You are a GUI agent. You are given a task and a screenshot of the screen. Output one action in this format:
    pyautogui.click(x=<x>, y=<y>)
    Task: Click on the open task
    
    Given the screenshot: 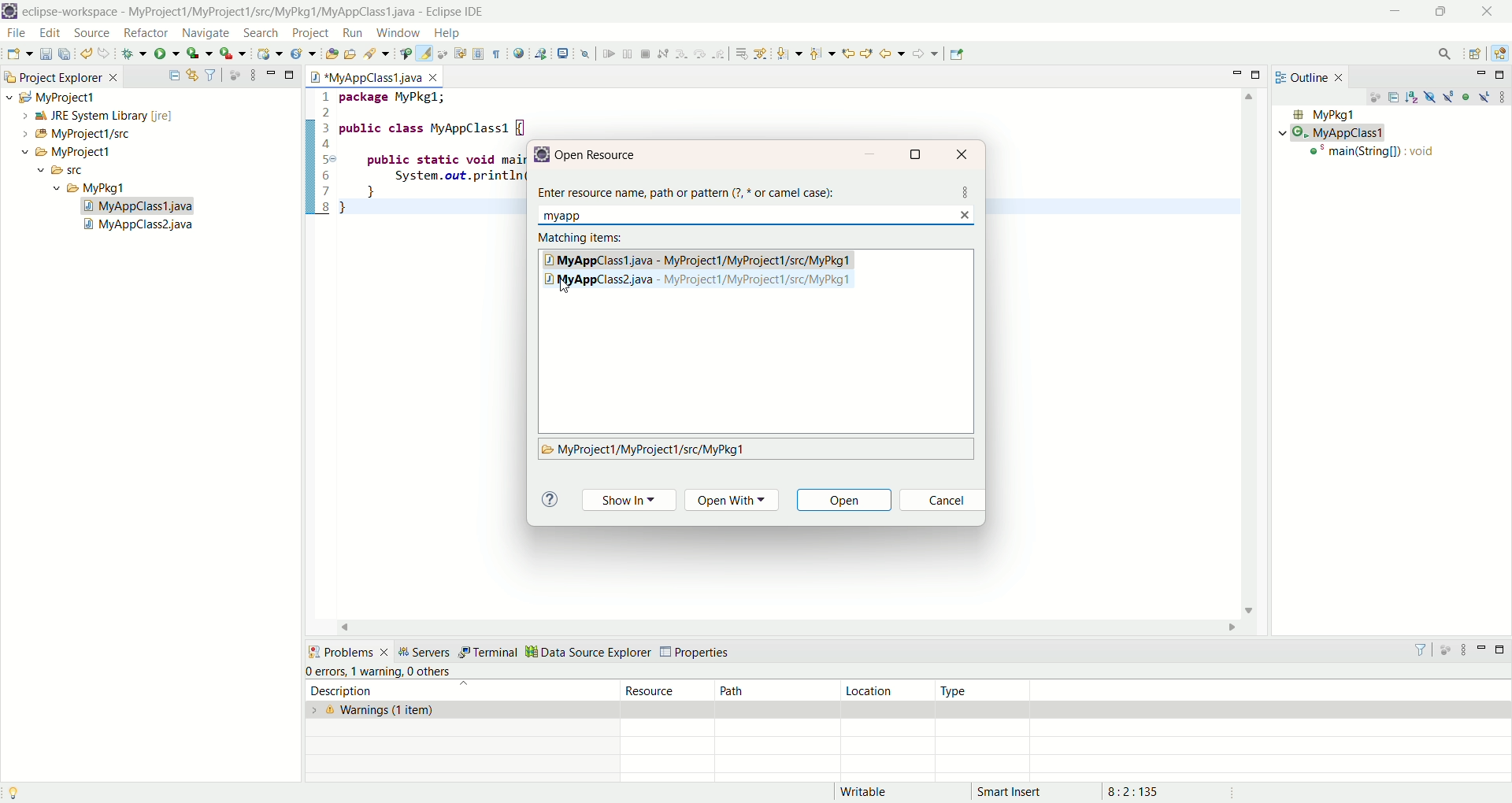 What is the action you would take?
    pyautogui.click(x=349, y=54)
    